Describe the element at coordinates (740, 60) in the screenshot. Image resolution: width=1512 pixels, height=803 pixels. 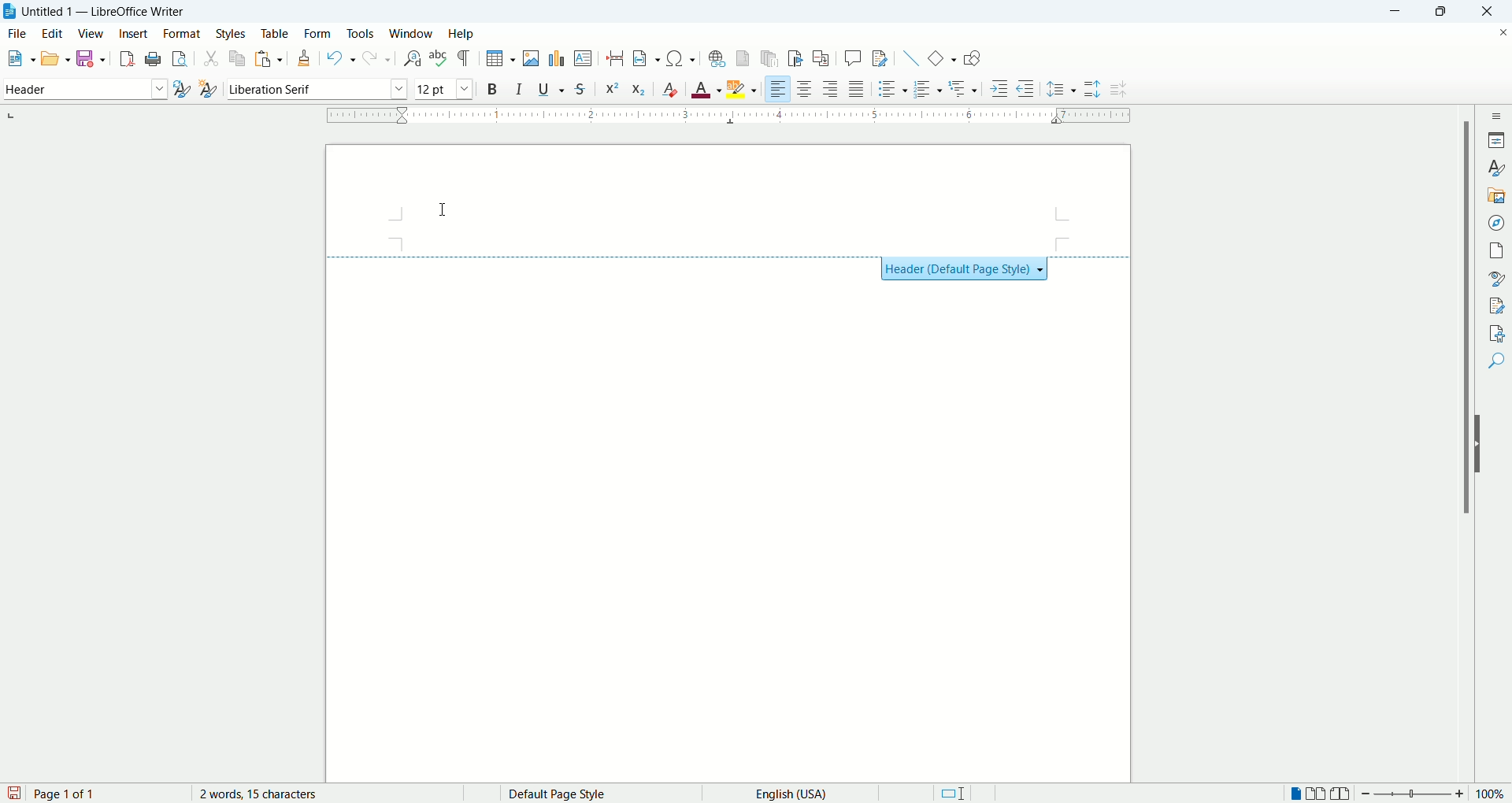
I see `insert footnote` at that location.